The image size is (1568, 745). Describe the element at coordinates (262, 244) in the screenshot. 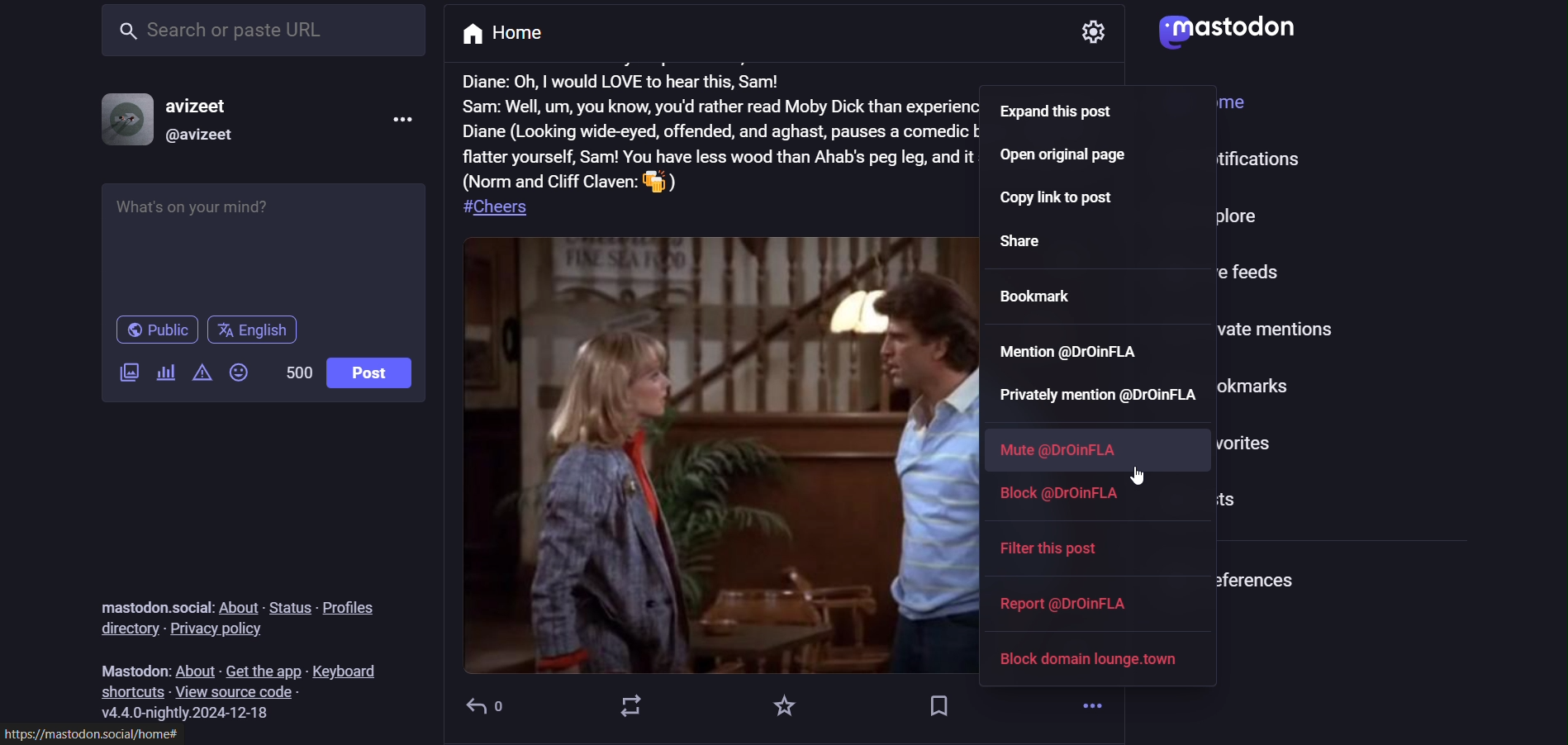

I see `whats on your mind` at that location.